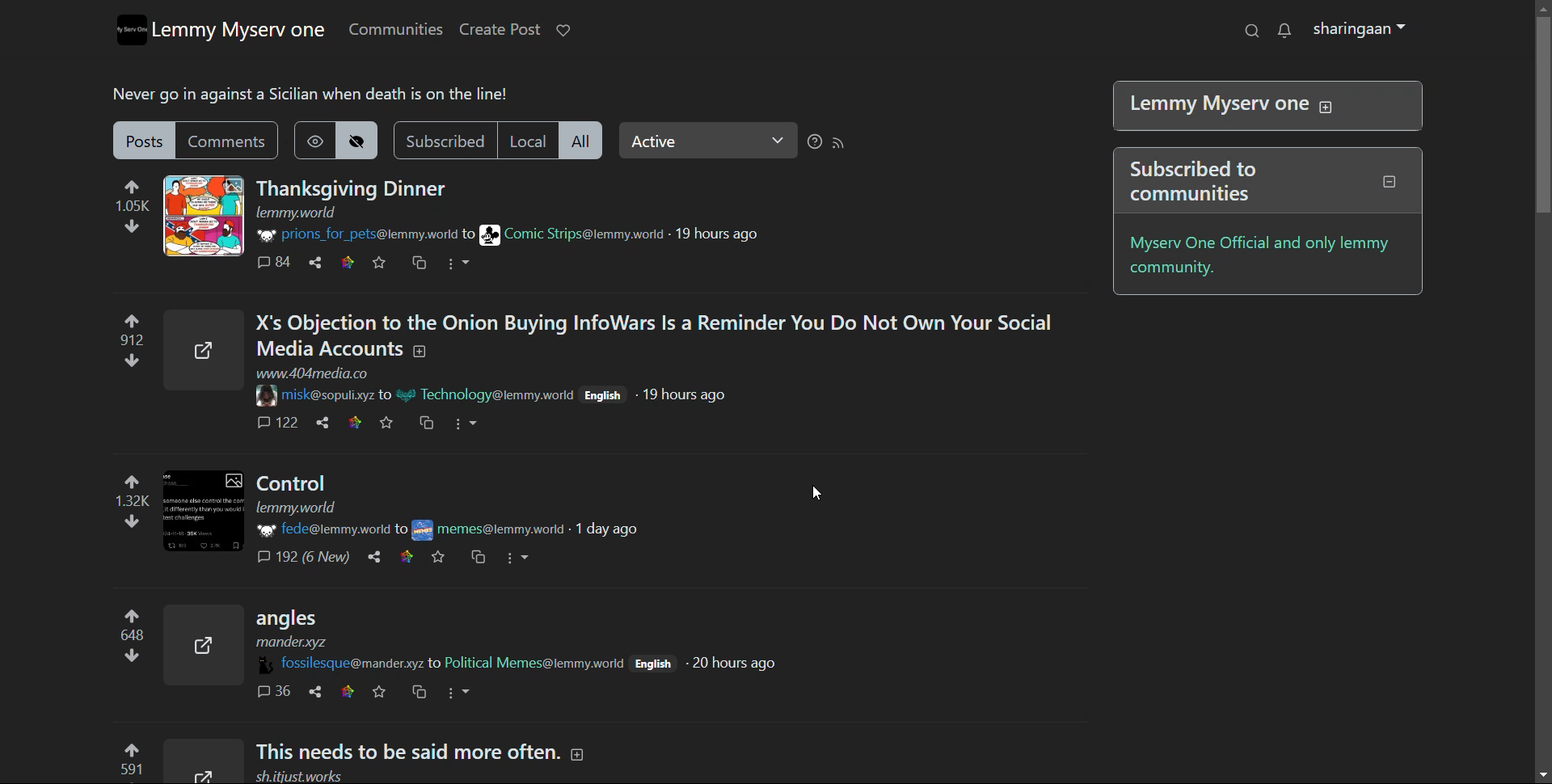 This screenshot has height=784, width=1552. What do you see at coordinates (318, 424) in the screenshot?
I see `share` at bounding box center [318, 424].